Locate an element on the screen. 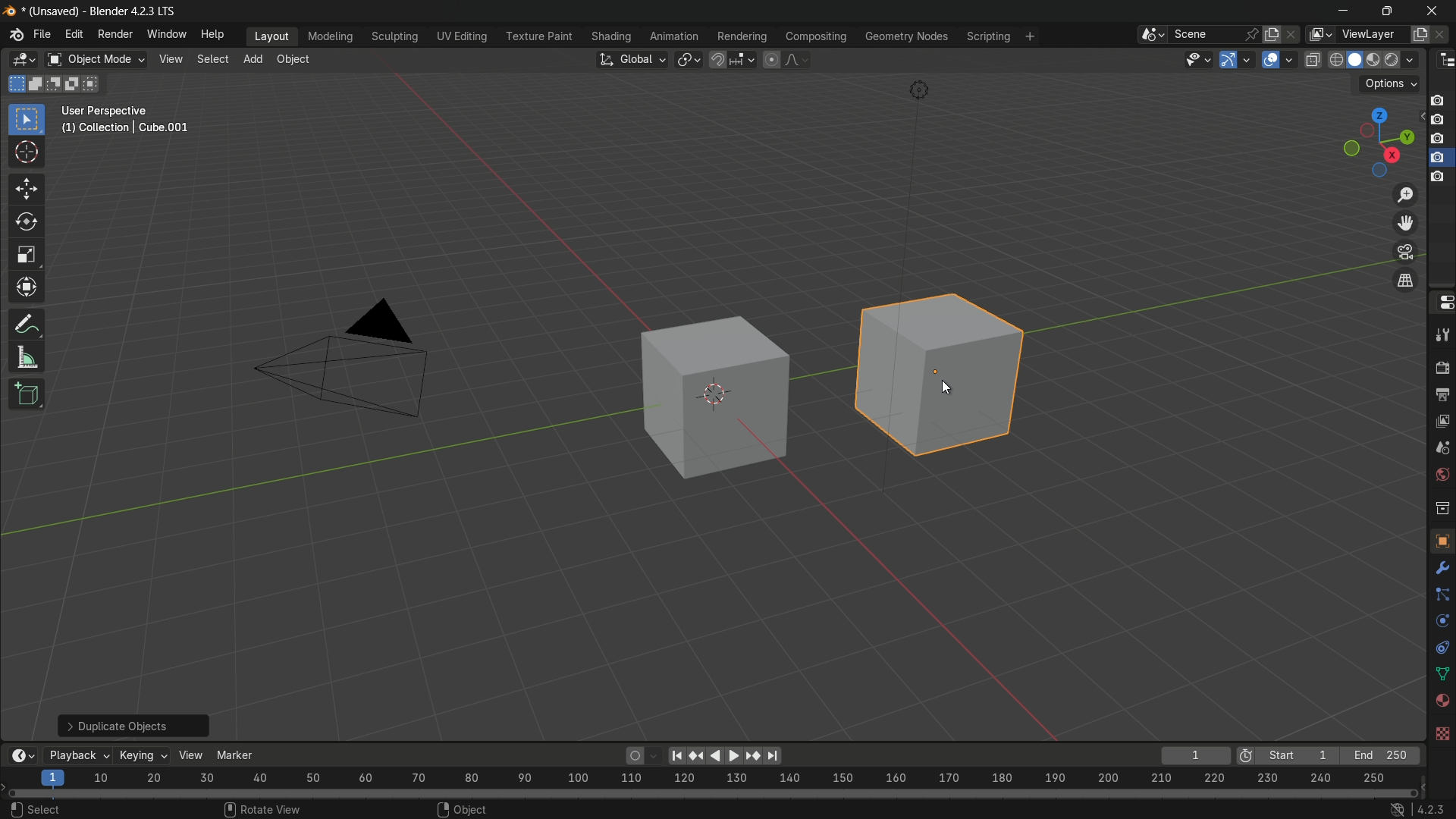 The width and height of the screenshot is (1456, 819). invert existing selection is located at coordinates (74, 83).